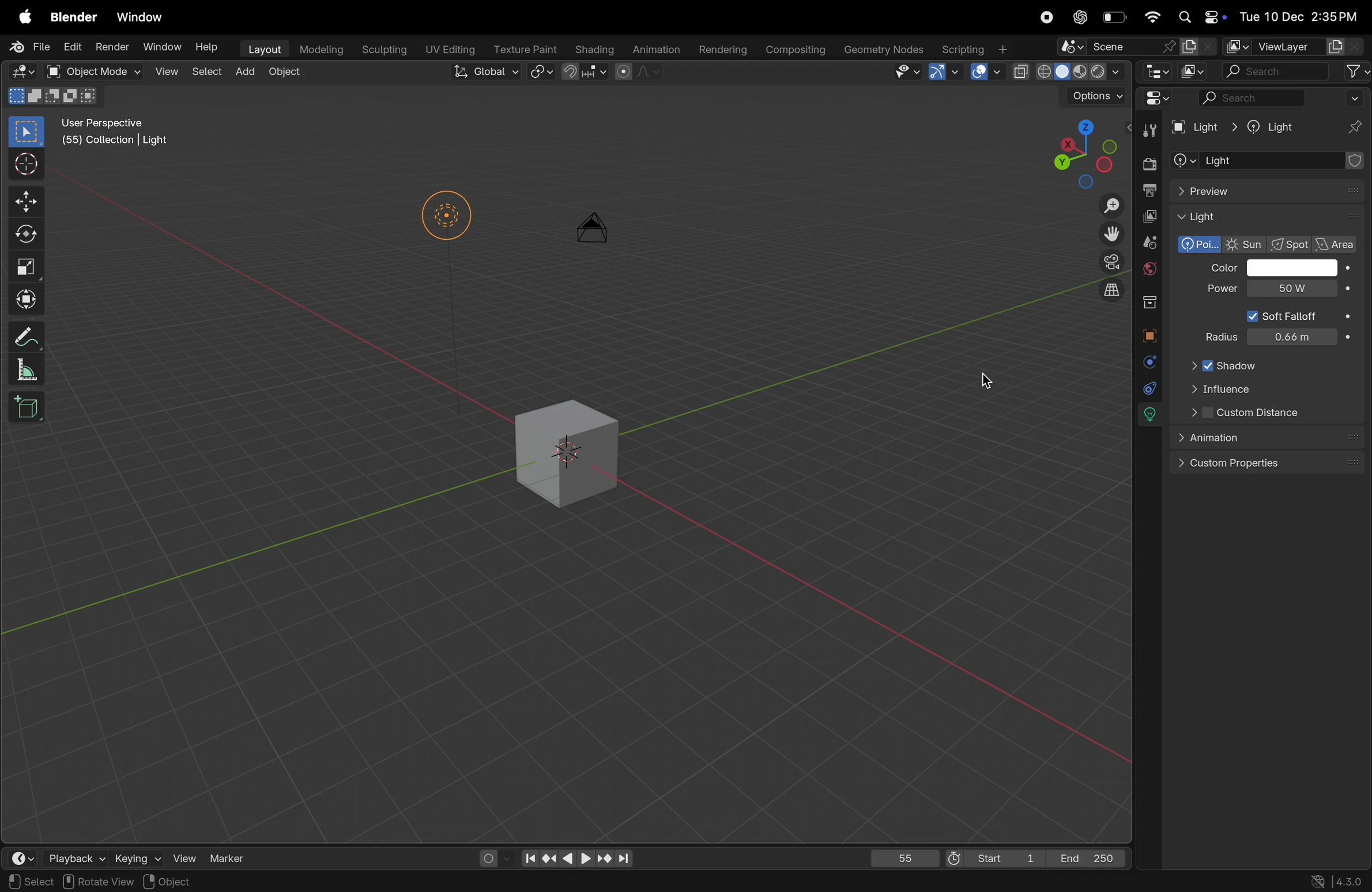 This screenshot has height=892, width=1372. Describe the element at coordinates (208, 48) in the screenshot. I see `Help` at that location.